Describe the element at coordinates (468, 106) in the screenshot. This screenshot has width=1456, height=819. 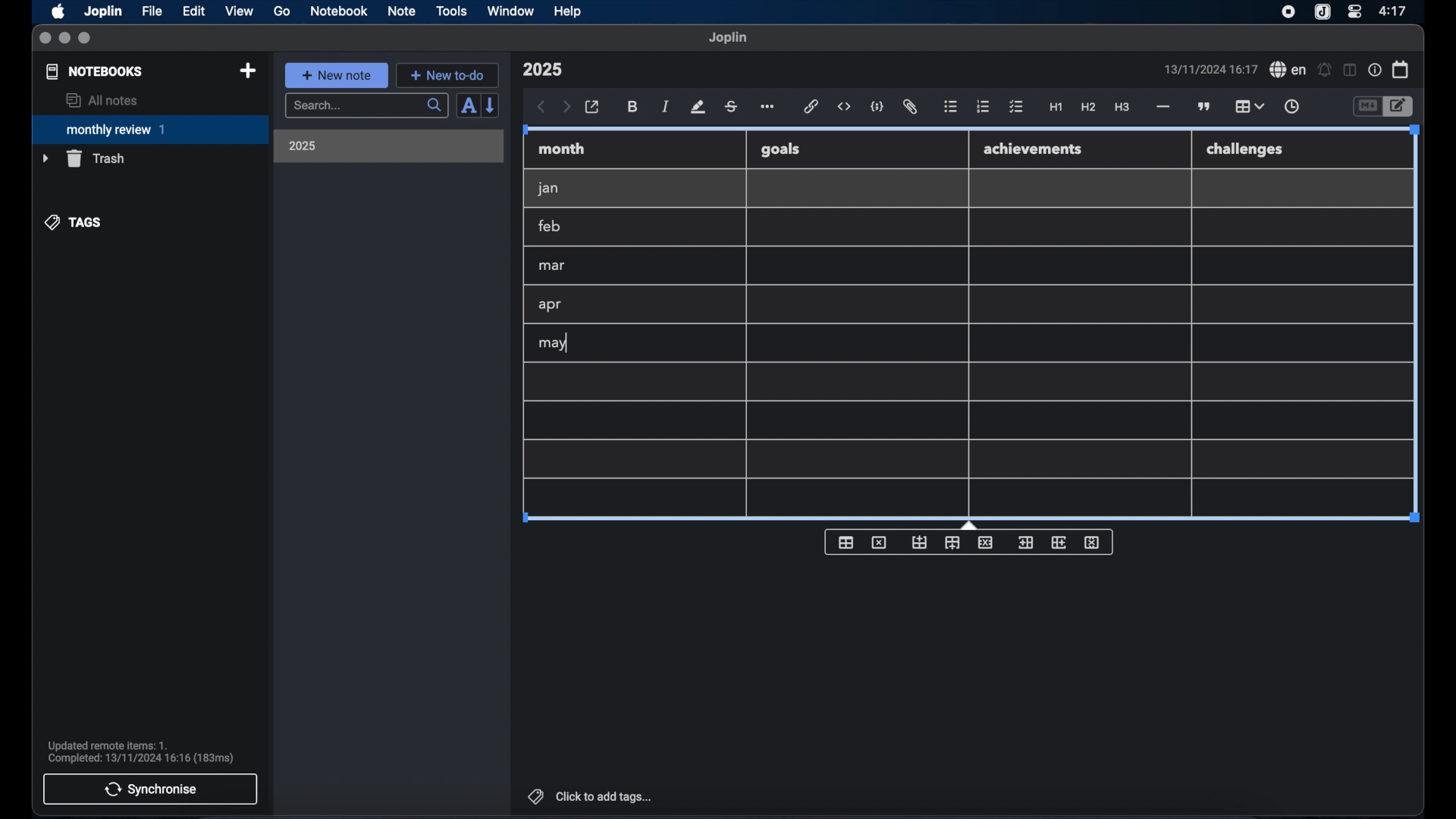
I see `sort order field` at that location.